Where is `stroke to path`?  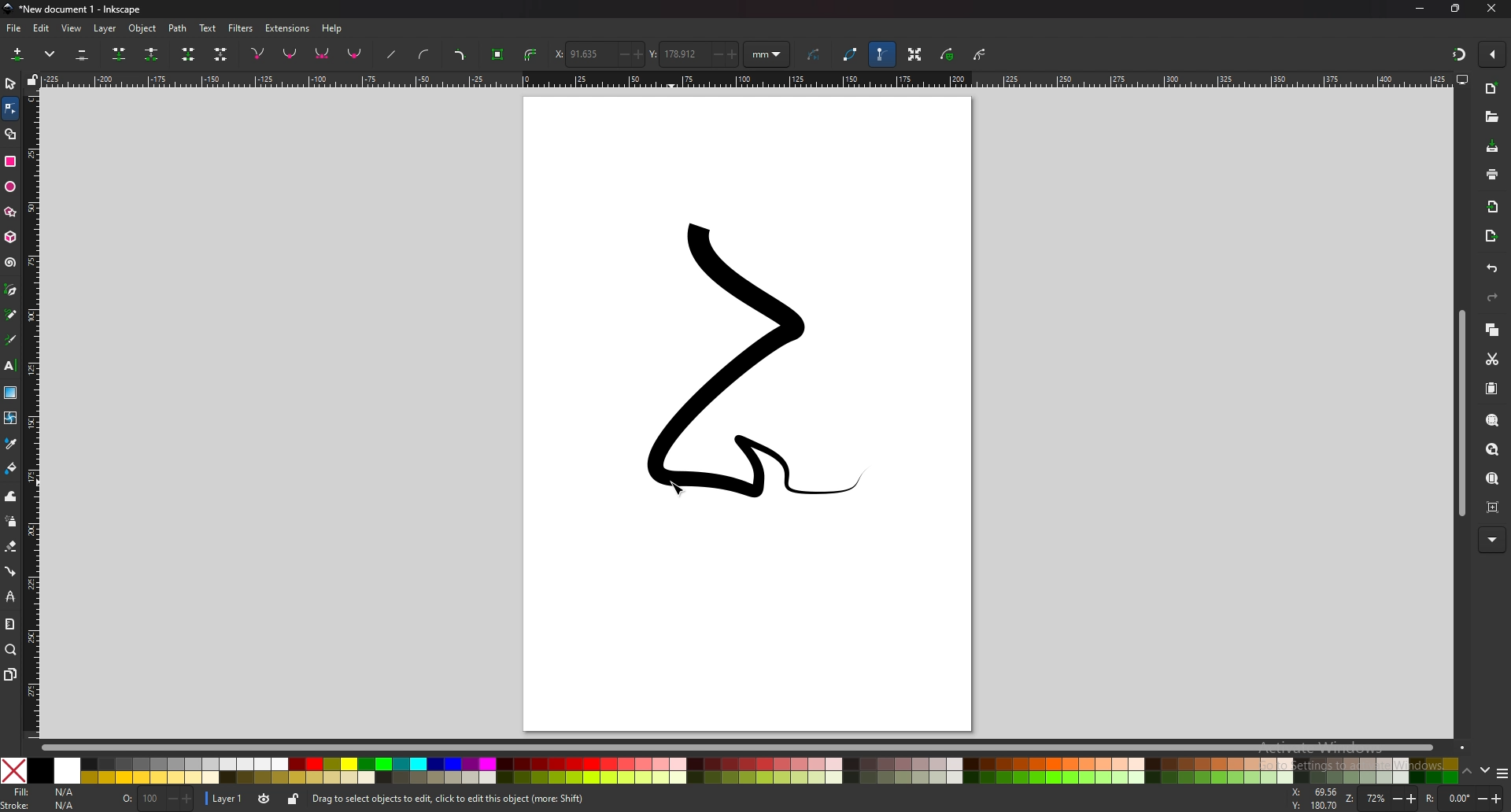 stroke to path is located at coordinates (531, 54).